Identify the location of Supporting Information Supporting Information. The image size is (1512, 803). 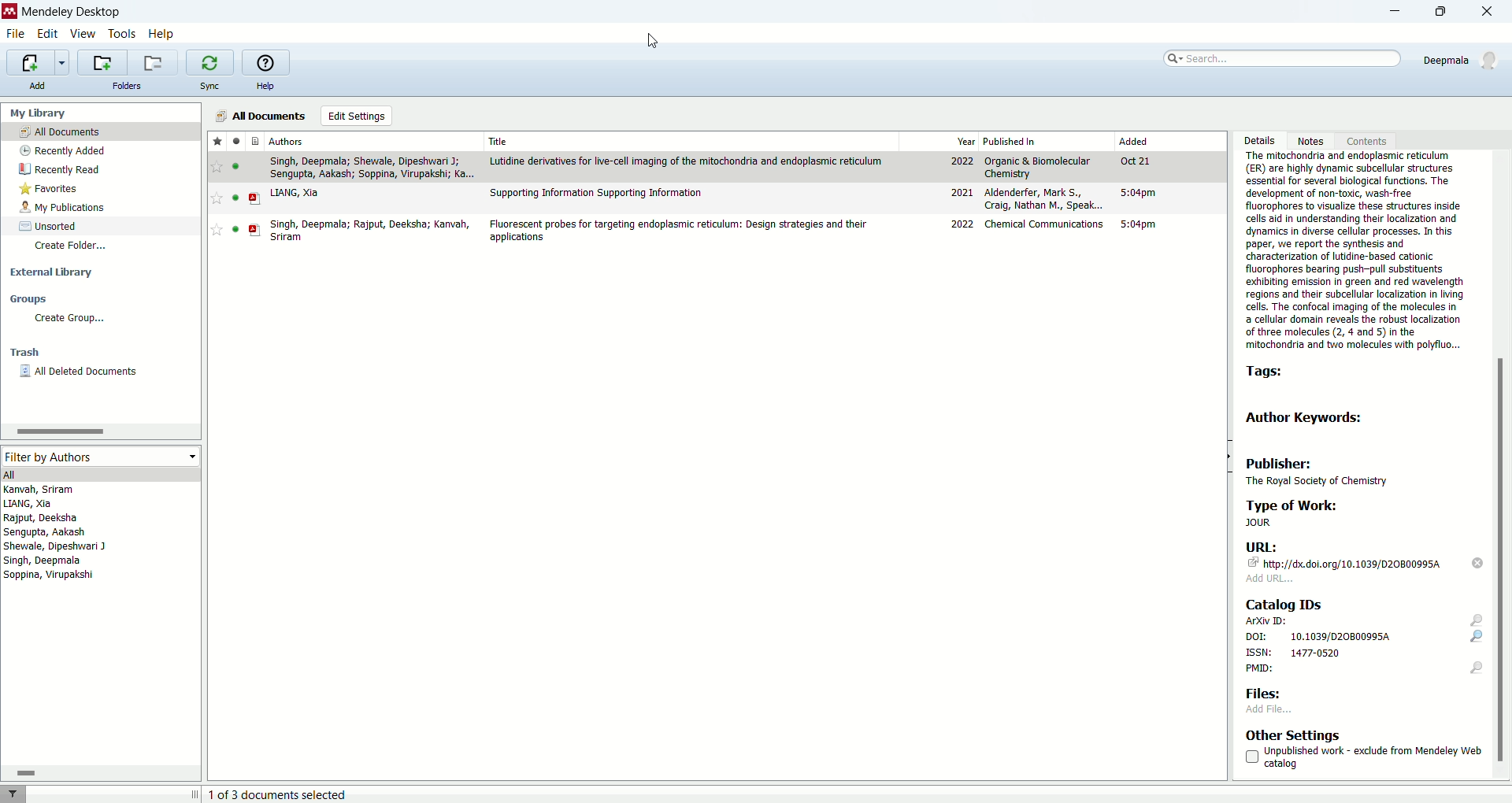
(597, 194).